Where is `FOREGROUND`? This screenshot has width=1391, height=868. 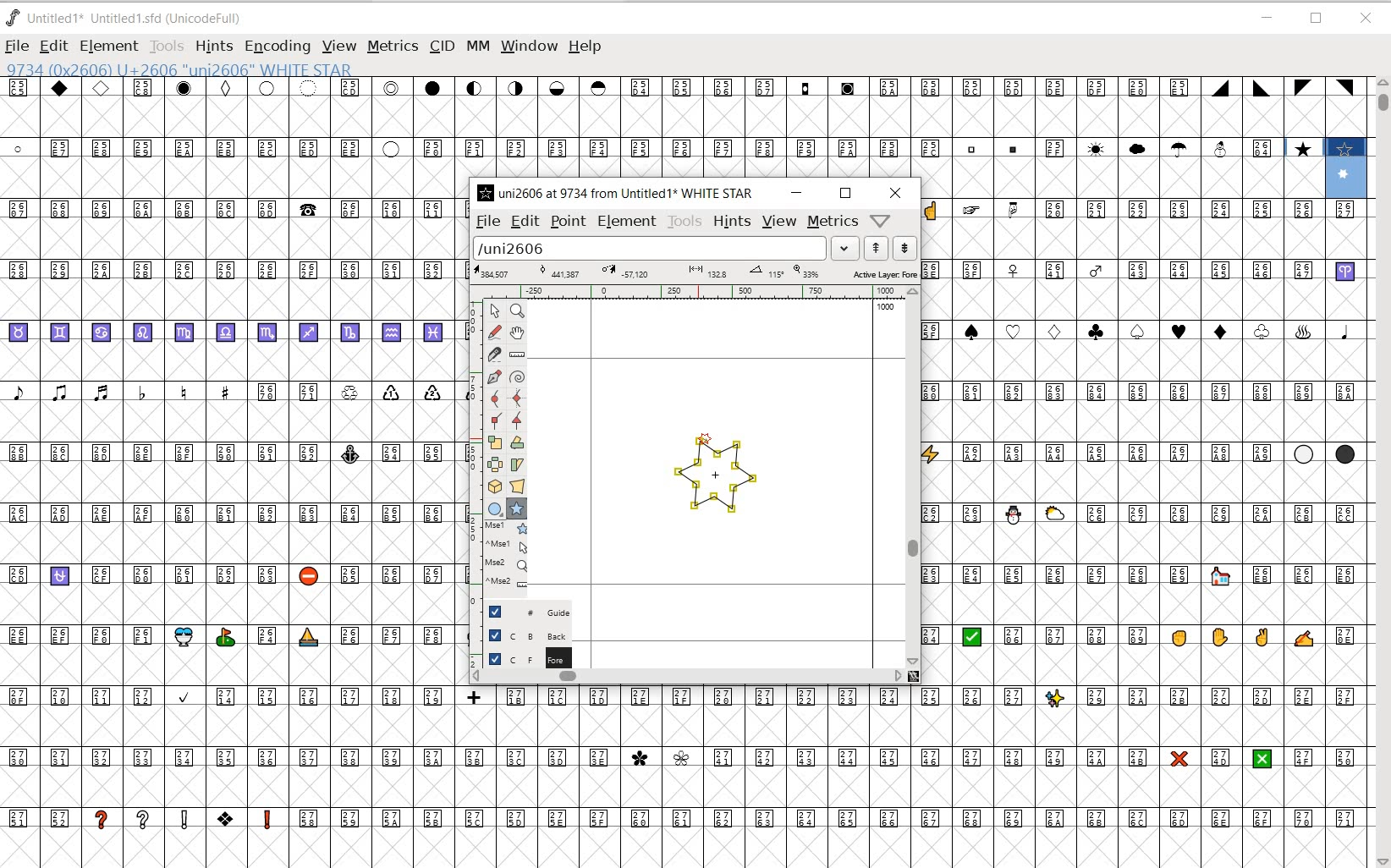 FOREGROUND is located at coordinates (520, 658).